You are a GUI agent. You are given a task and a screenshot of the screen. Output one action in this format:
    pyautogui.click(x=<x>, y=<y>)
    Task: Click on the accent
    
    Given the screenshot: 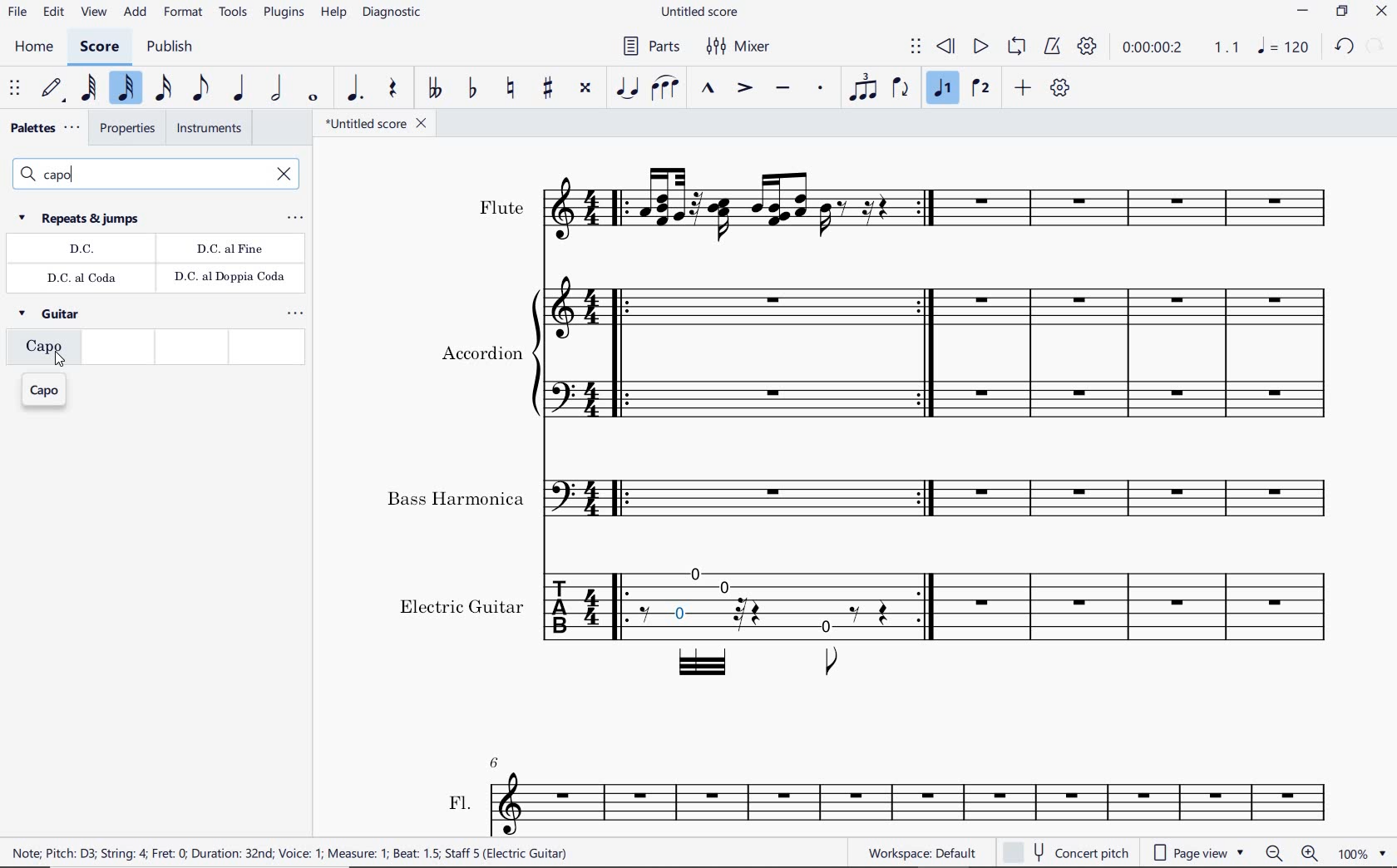 What is the action you would take?
    pyautogui.click(x=742, y=87)
    